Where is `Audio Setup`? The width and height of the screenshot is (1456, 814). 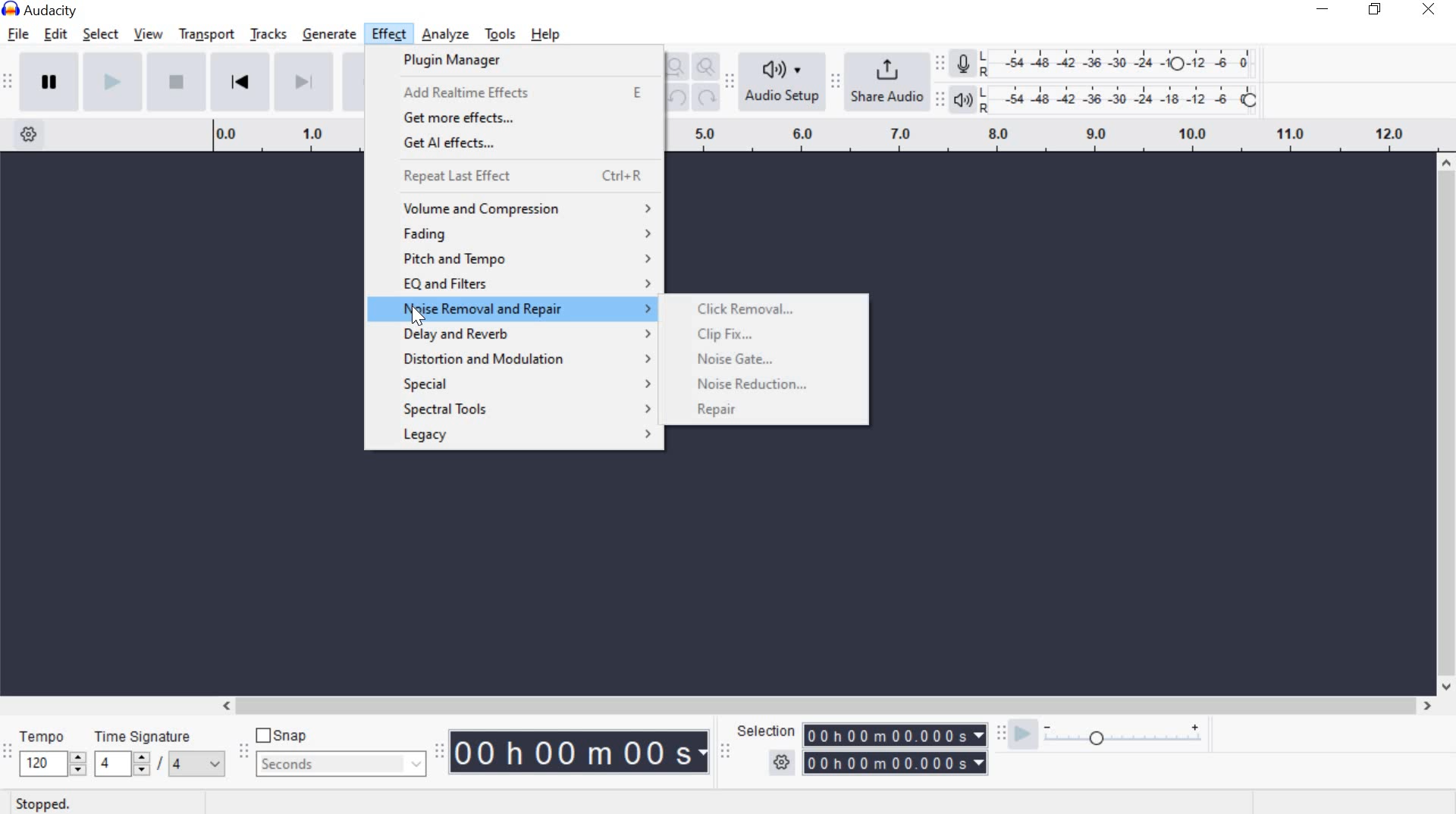
Audio Setup is located at coordinates (783, 83).